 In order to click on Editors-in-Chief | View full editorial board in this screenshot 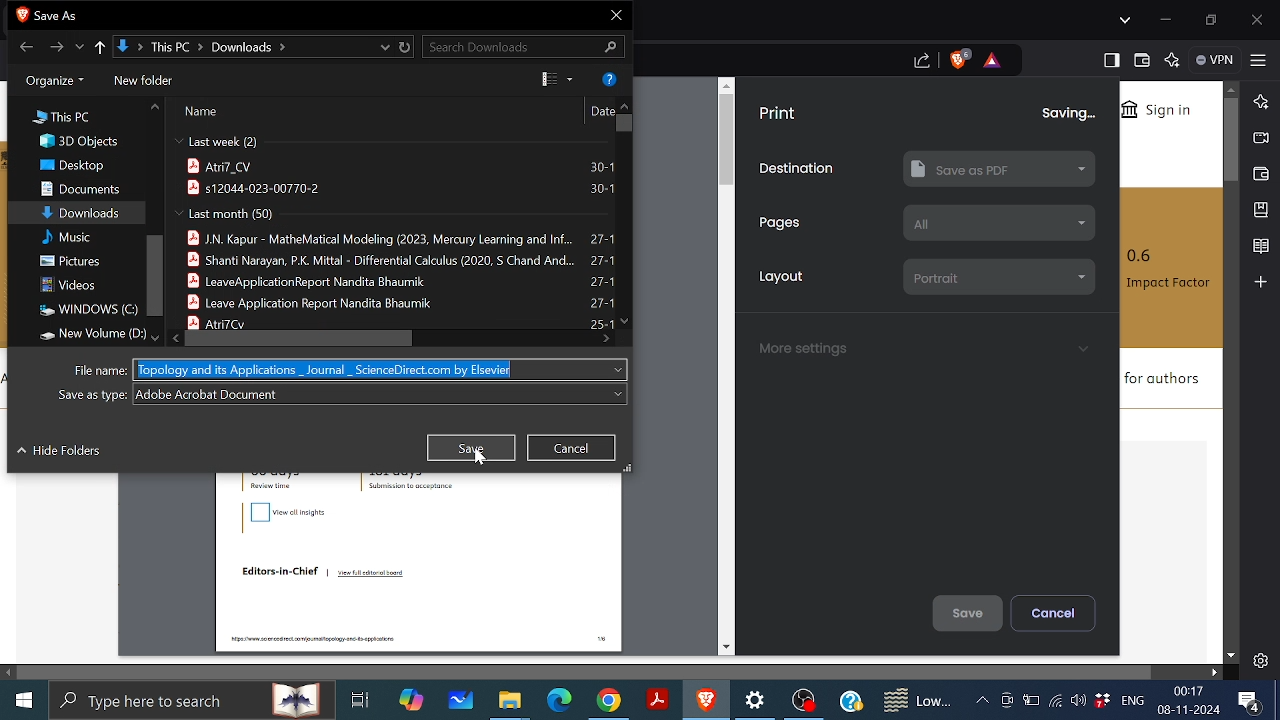, I will do `click(325, 577)`.